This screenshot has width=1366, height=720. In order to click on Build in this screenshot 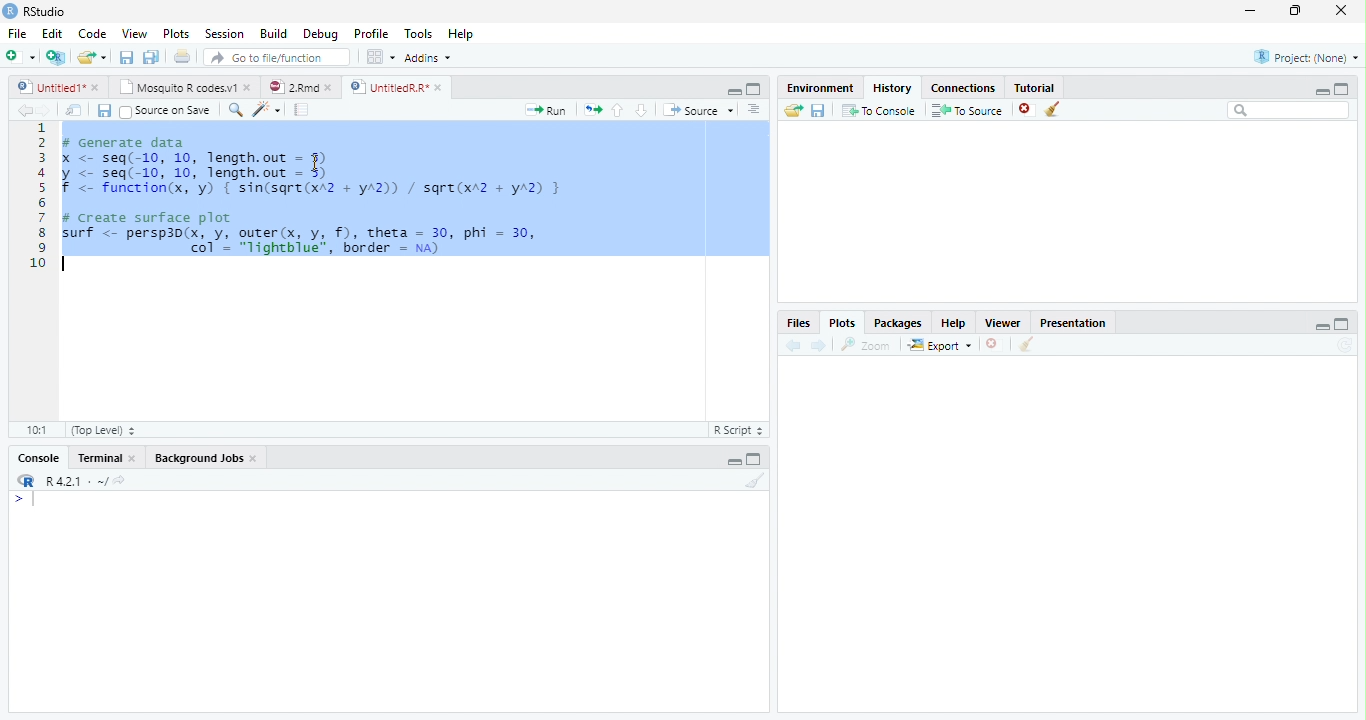, I will do `click(273, 33)`.